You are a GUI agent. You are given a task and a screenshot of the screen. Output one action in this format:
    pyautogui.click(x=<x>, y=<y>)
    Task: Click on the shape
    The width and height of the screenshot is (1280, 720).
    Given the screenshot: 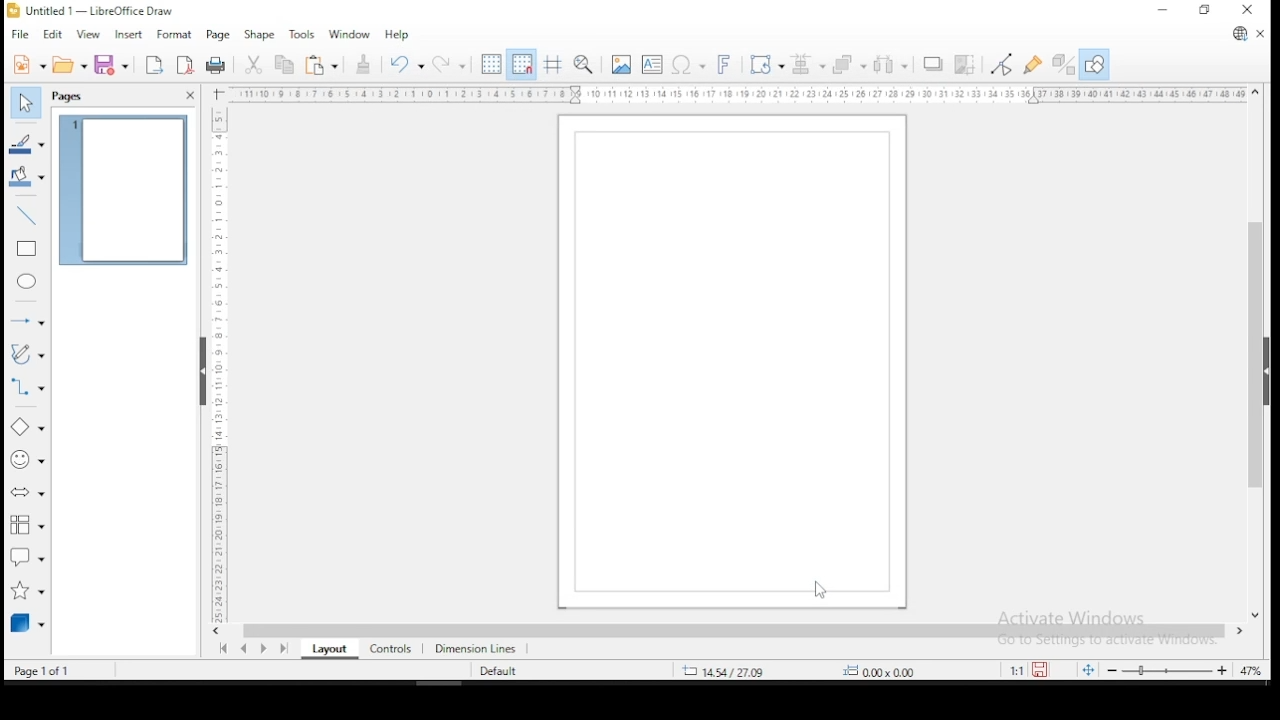 What is the action you would take?
    pyautogui.click(x=264, y=35)
    